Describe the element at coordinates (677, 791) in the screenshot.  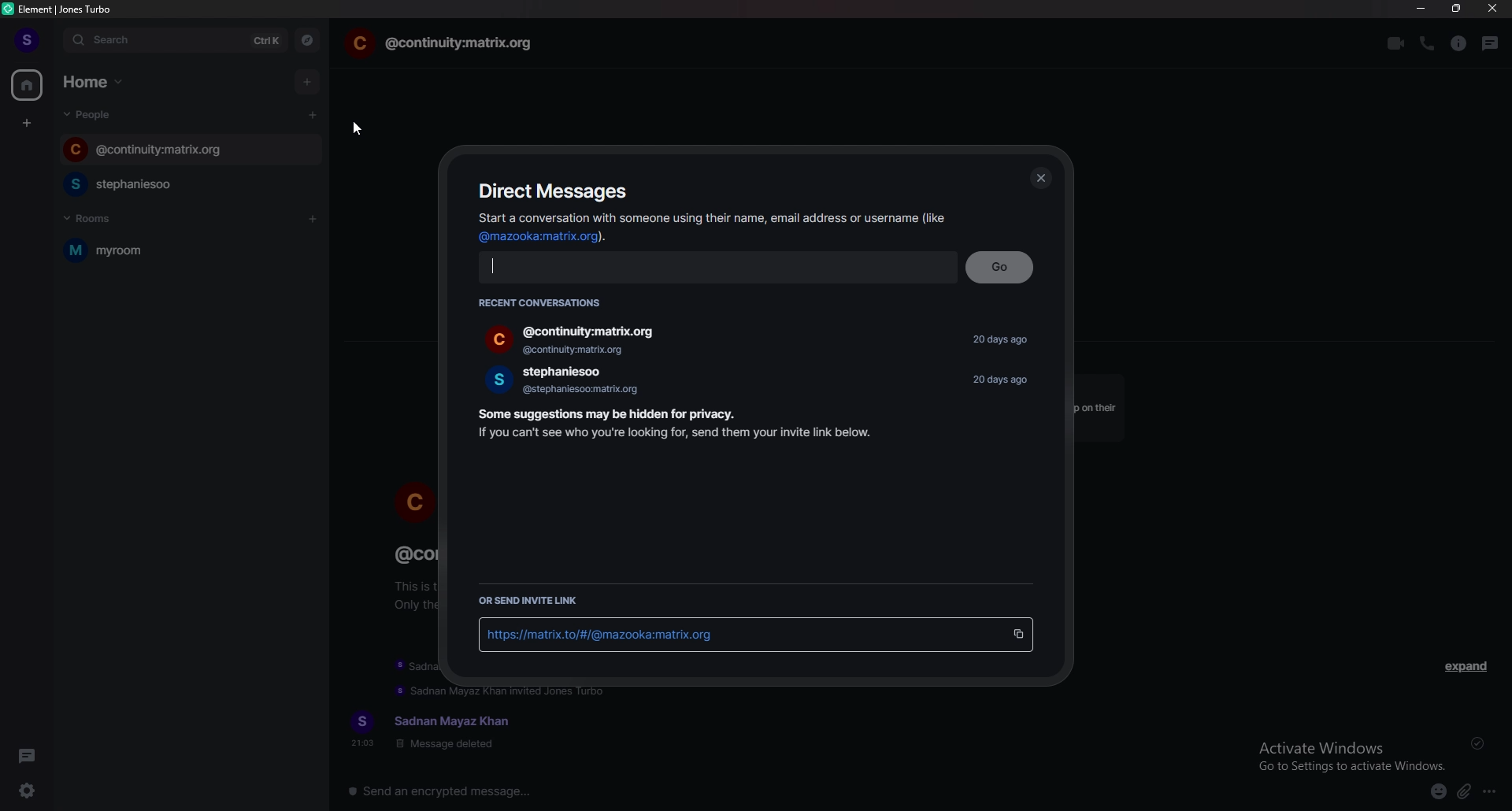
I see `message input` at that location.